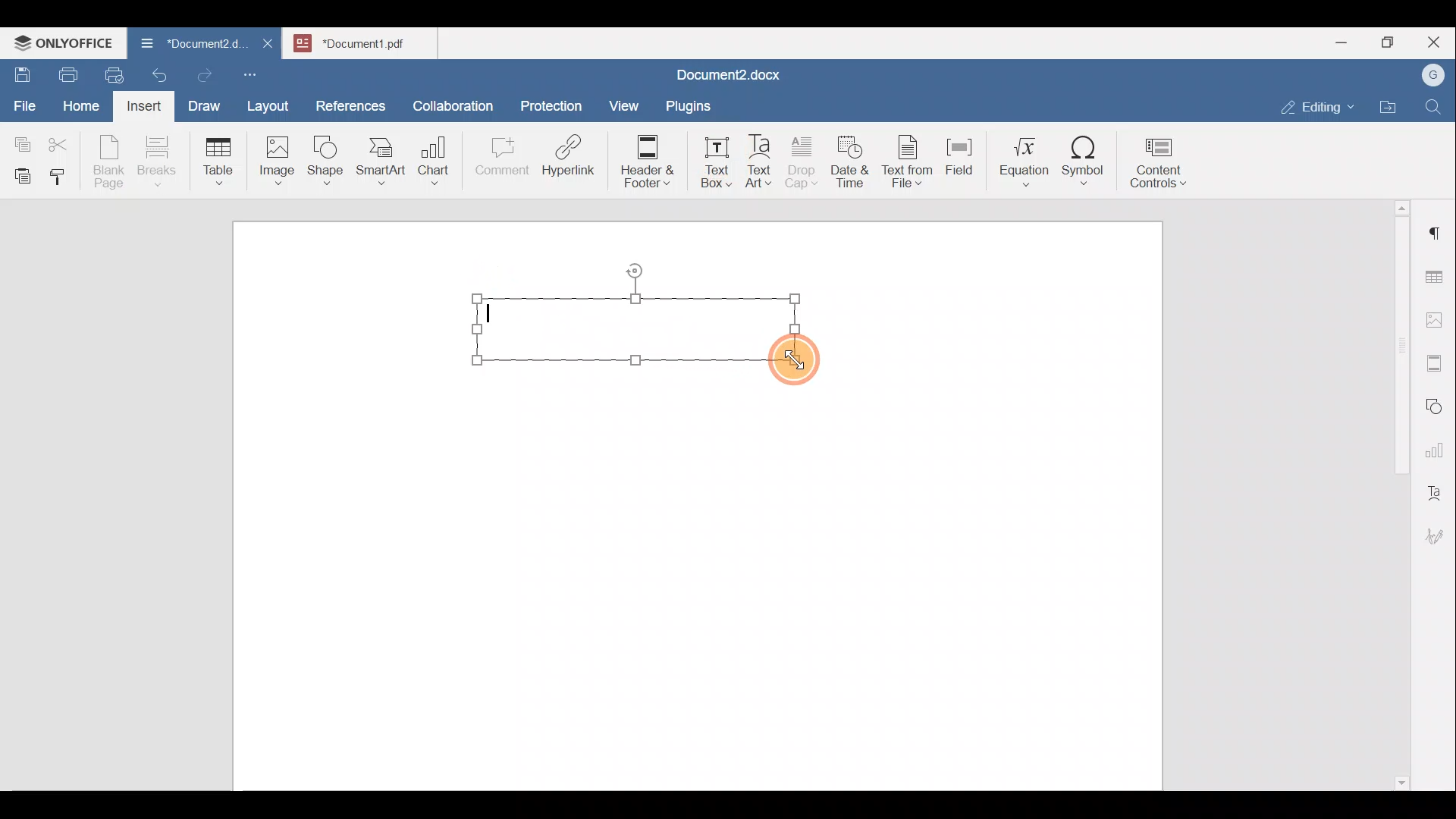 The height and width of the screenshot is (819, 1456). What do you see at coordinates (1396, 492) in the screenshot?
I see `Scroll bar` at bounding box center [1396, 492].